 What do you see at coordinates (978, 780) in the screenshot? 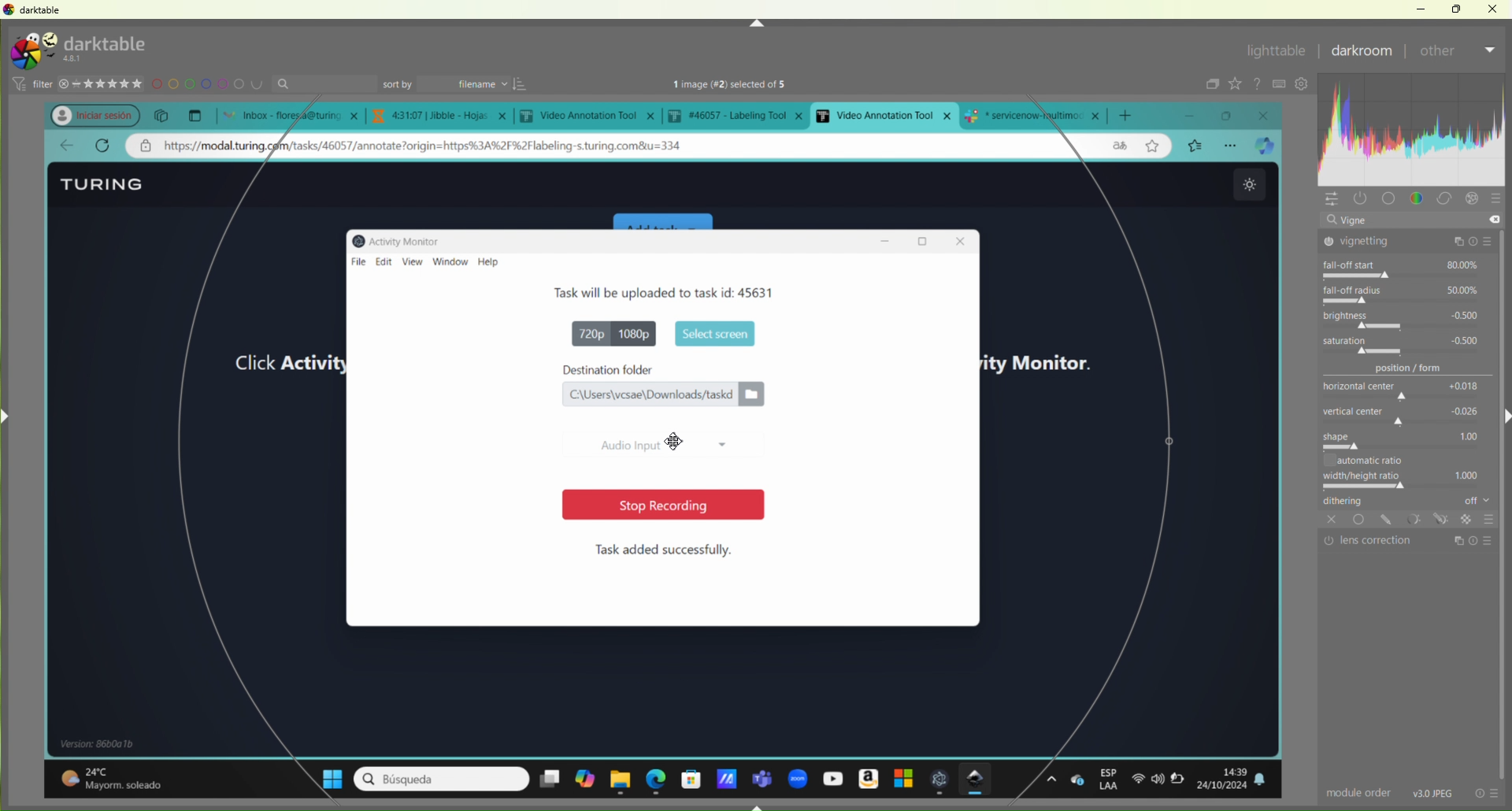
I see `darktable` at bounding box center [978, 780].